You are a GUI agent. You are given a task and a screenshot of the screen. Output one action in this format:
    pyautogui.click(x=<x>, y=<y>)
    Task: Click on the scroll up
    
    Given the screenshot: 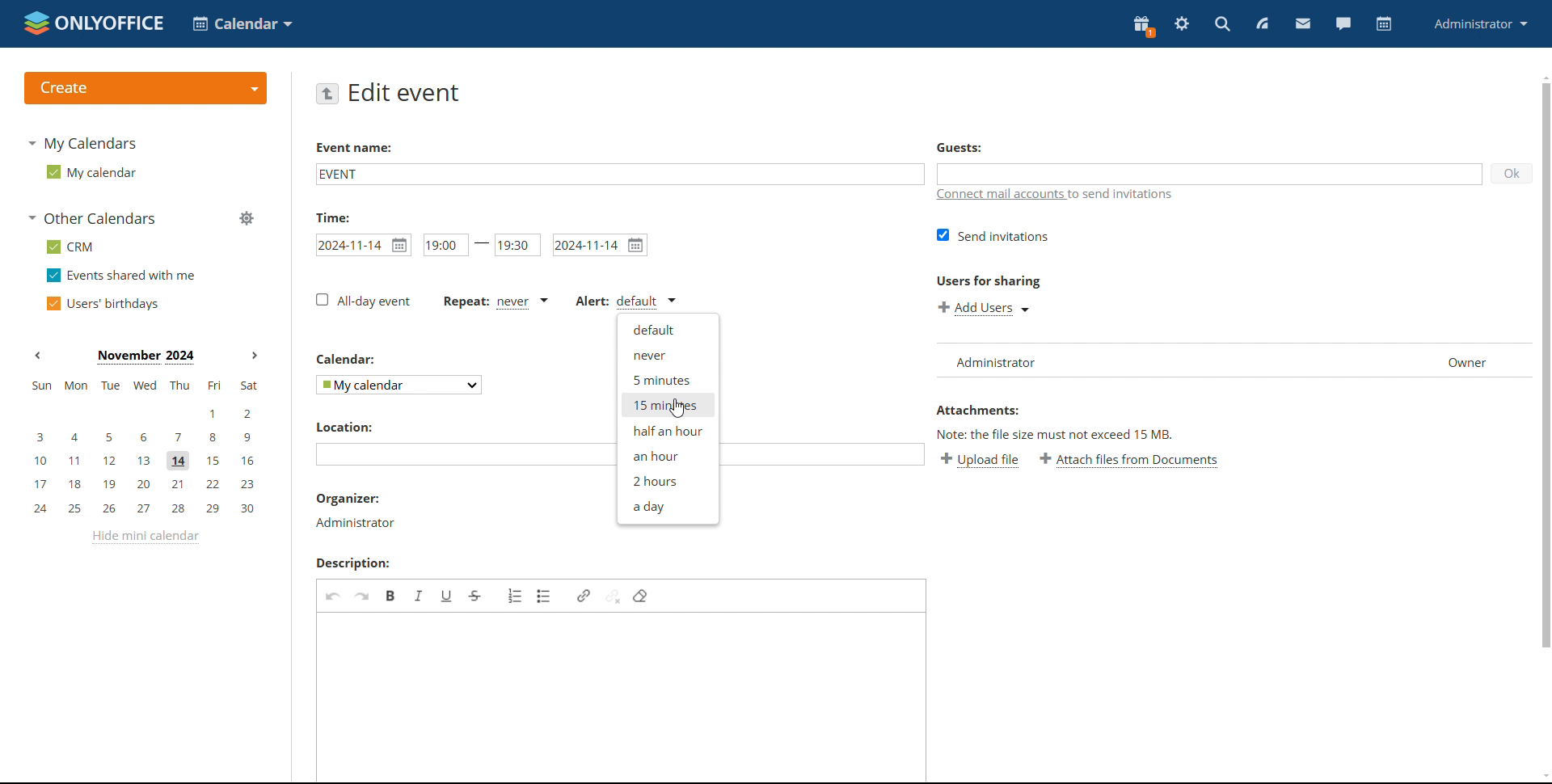 What is the action you would take?
    pyautogui.click(x=1542, y=75)
    